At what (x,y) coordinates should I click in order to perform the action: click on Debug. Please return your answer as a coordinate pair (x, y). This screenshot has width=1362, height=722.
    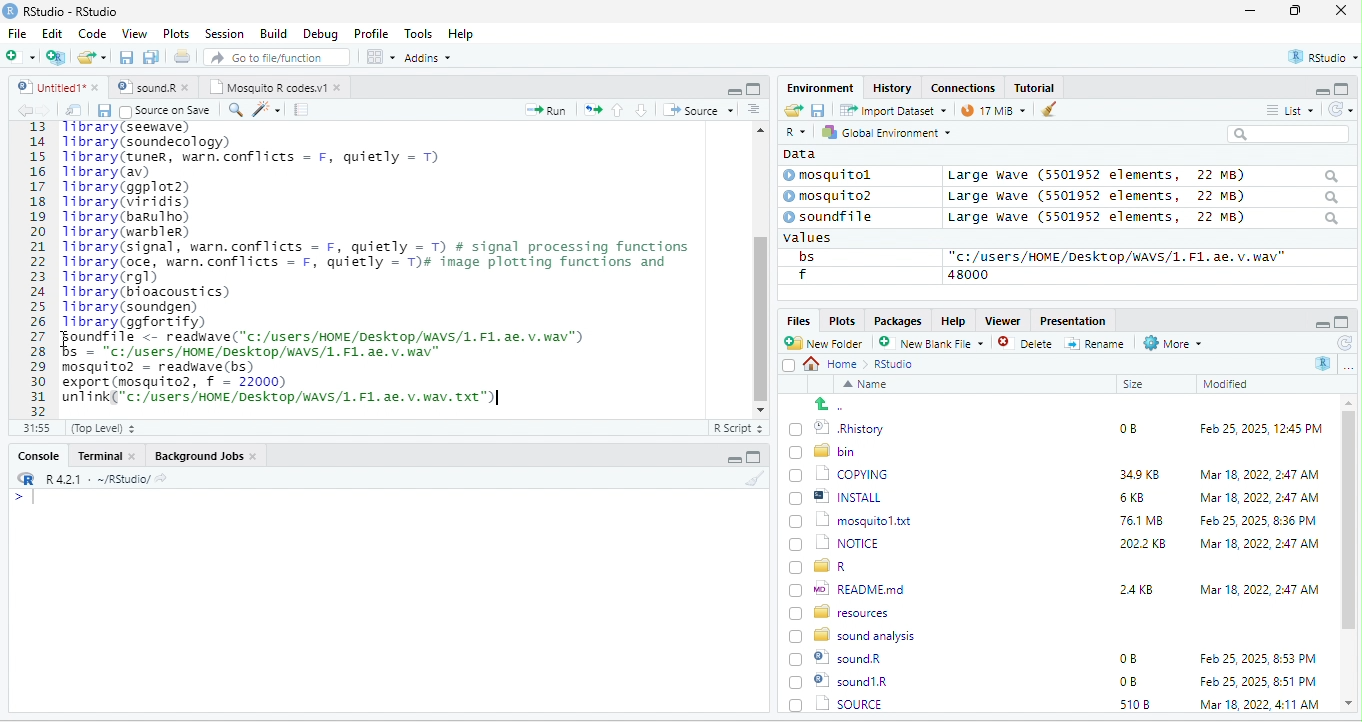
    Looking at the image, I should click on (320, 33).